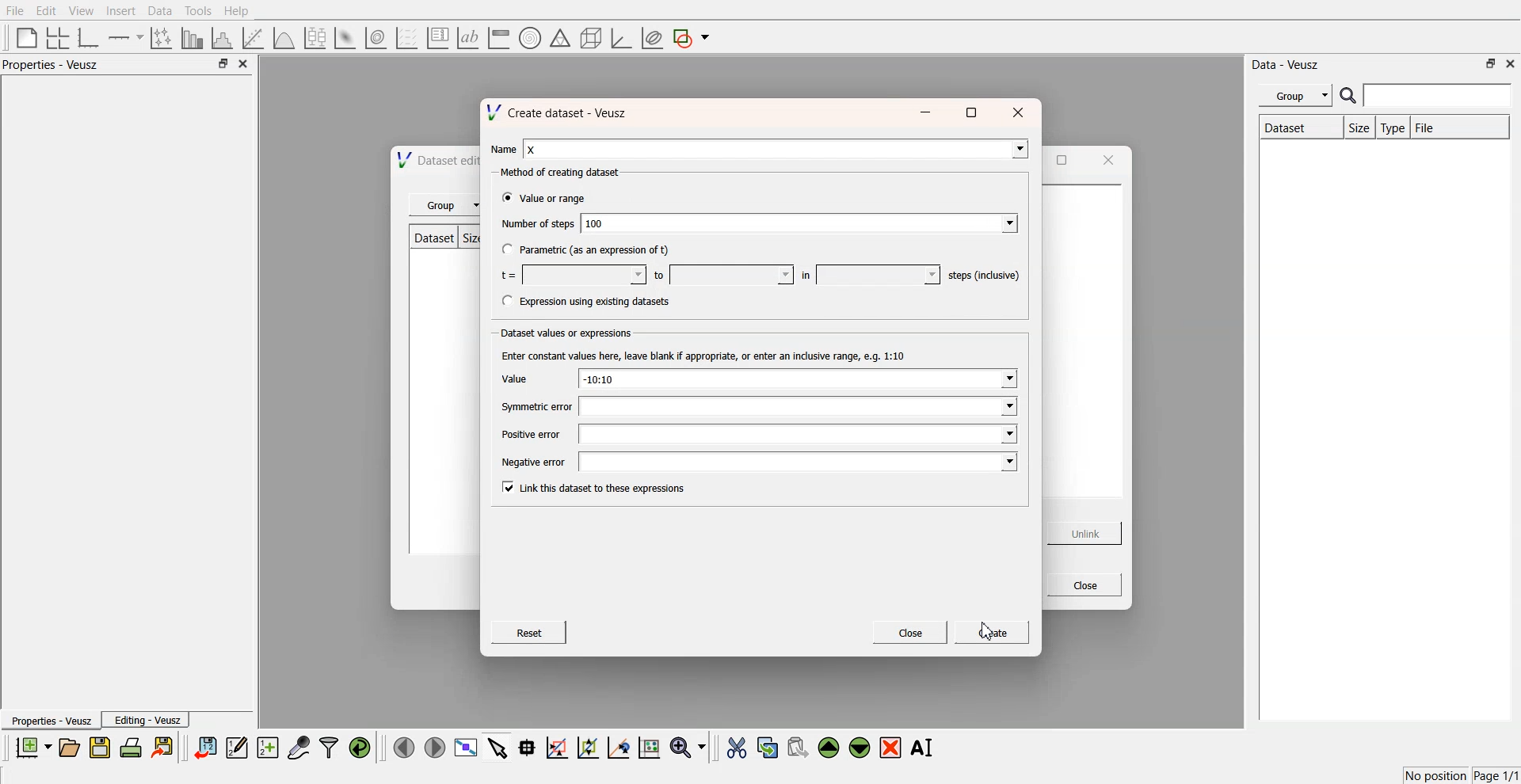  Describe the element at coordinates (55, 65) in the screenshot. I see `Properties - Veusz` at that location.